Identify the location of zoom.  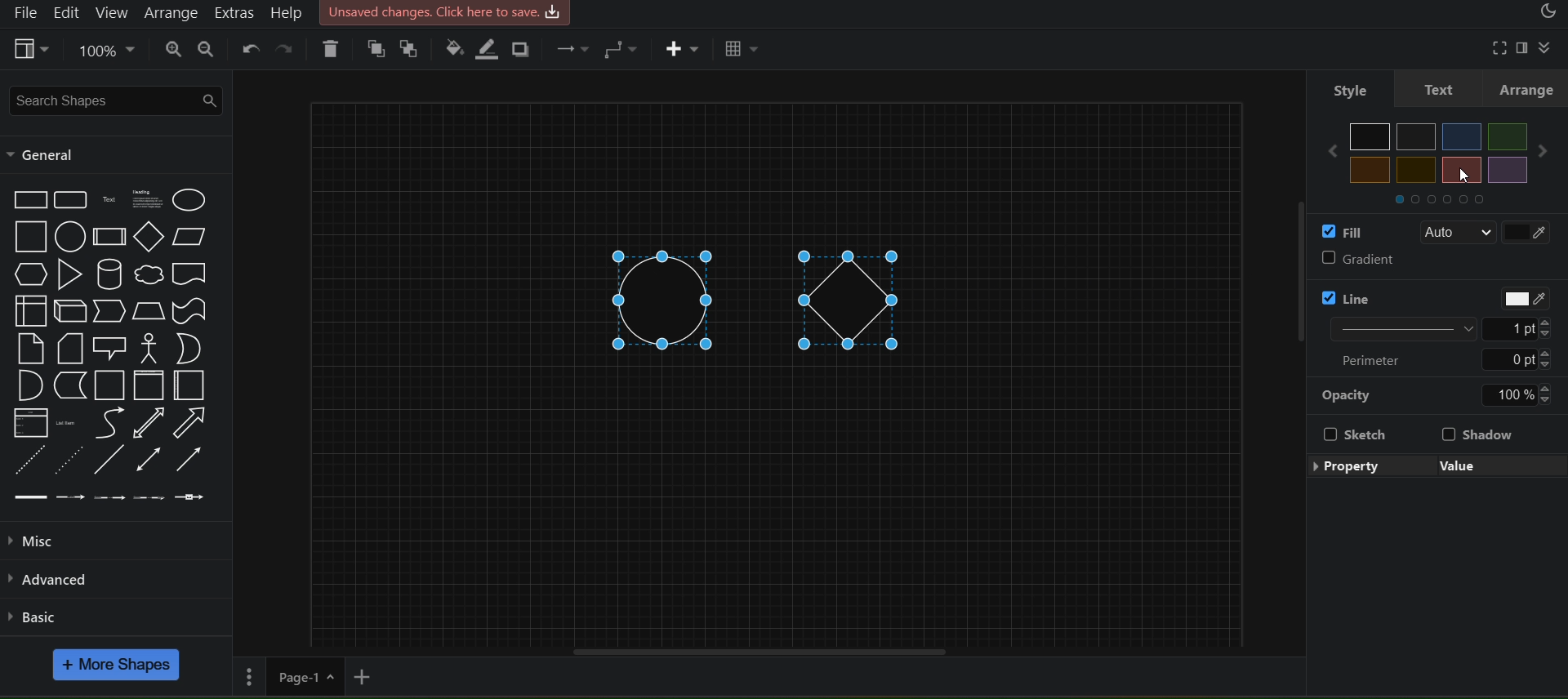
(106, 51).